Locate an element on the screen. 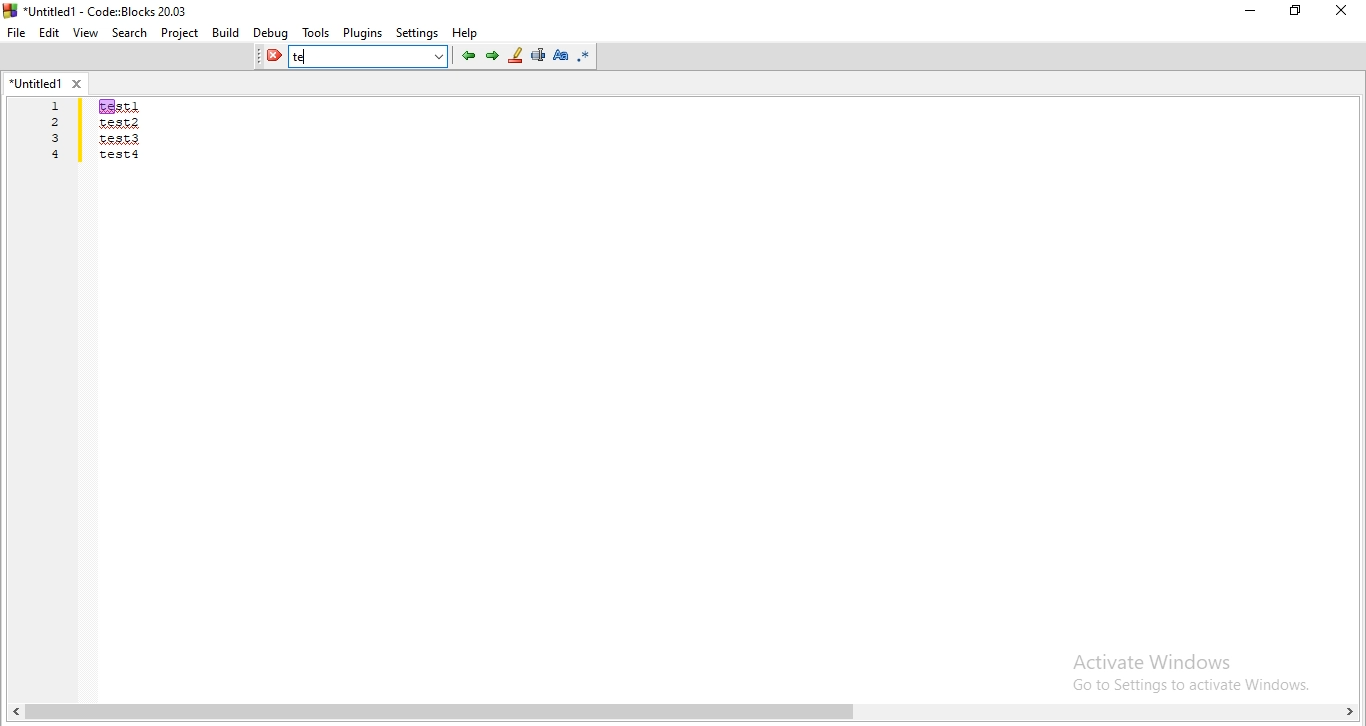 This screenshot has height=726, width=1366. use regex is located at coordinates (586, 56).